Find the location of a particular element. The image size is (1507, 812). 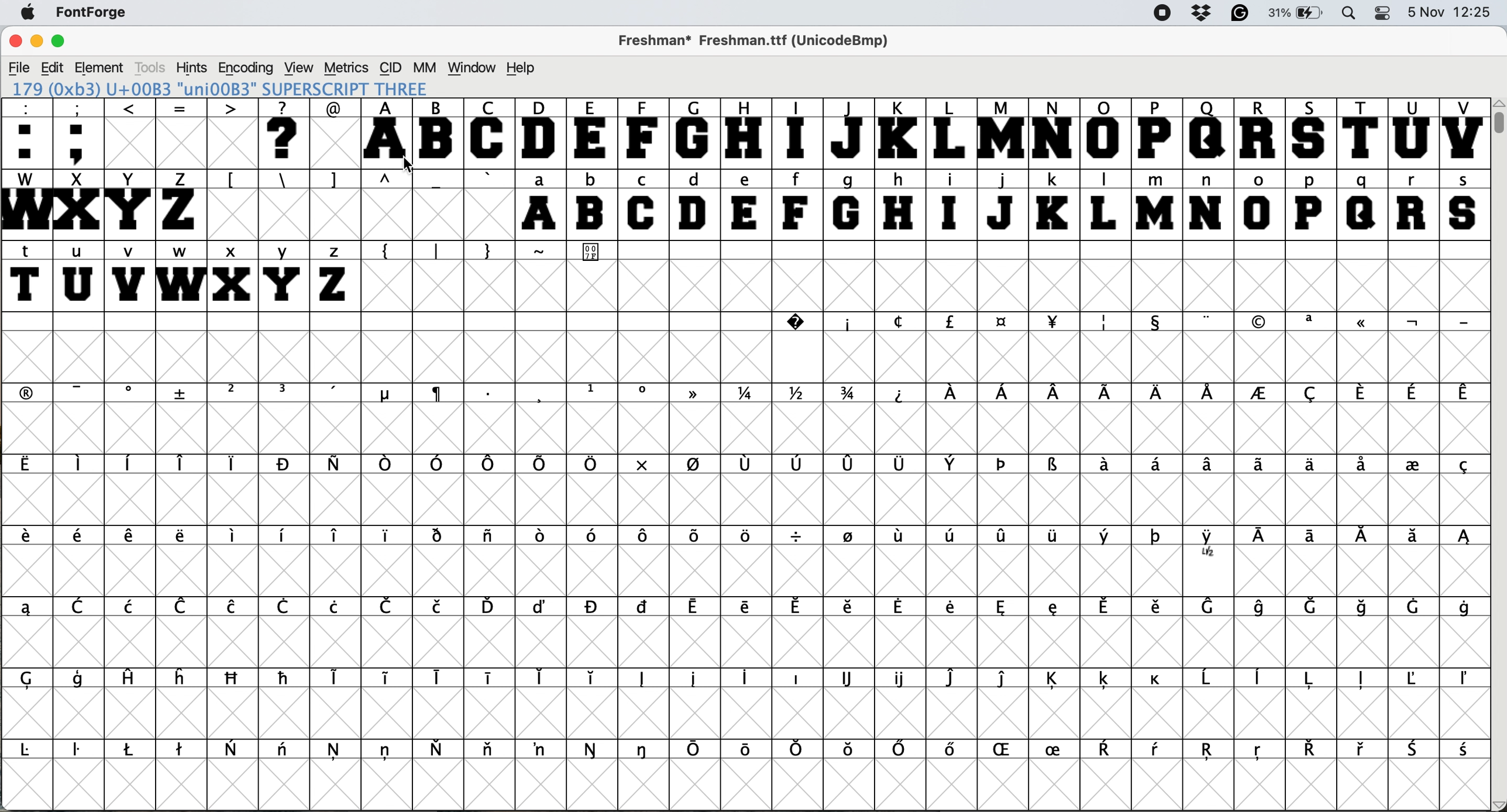

symbol is located at coordinates (182, 606).